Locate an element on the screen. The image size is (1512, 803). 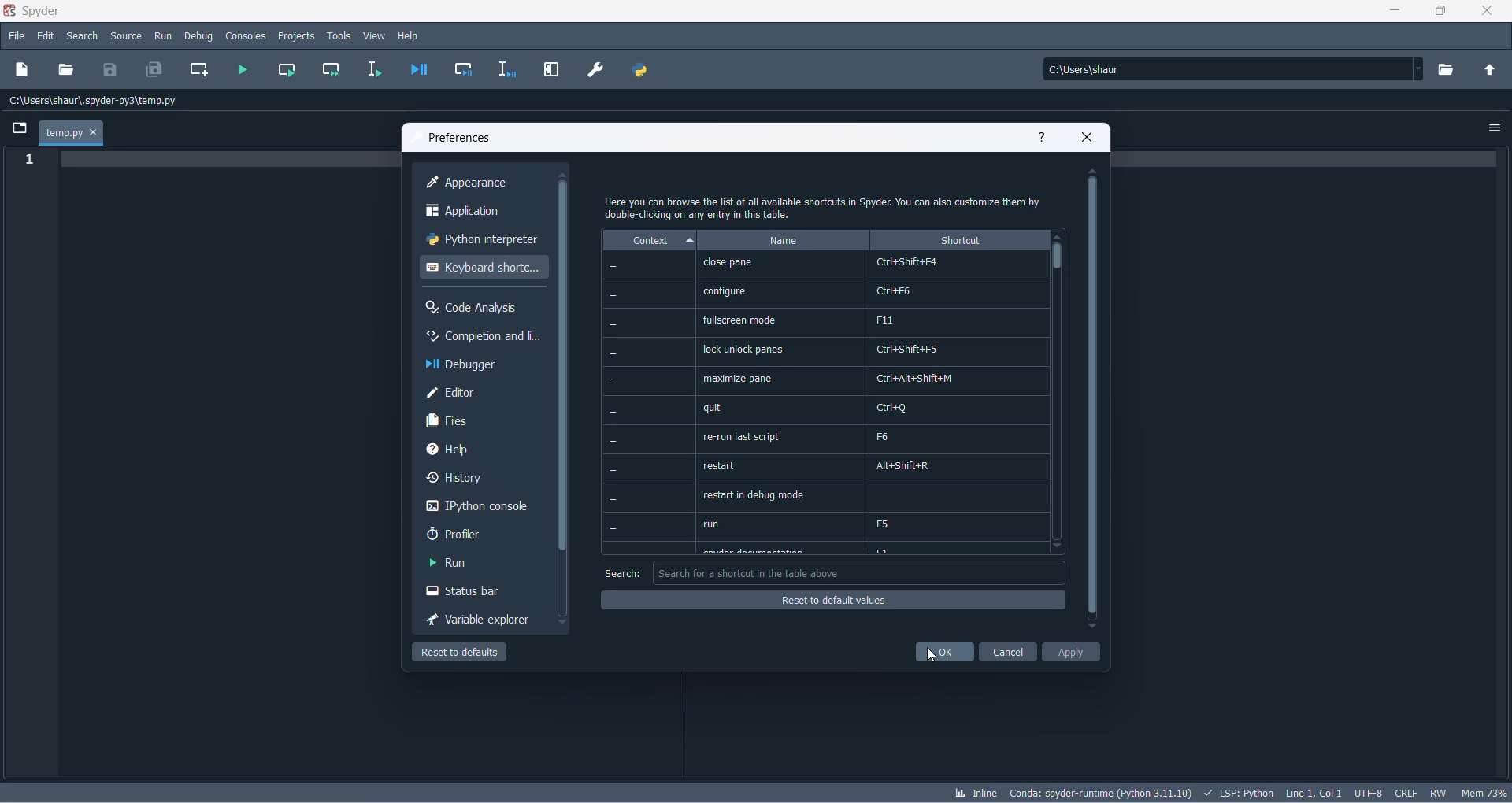
options is located at coordinates (1494, 128).